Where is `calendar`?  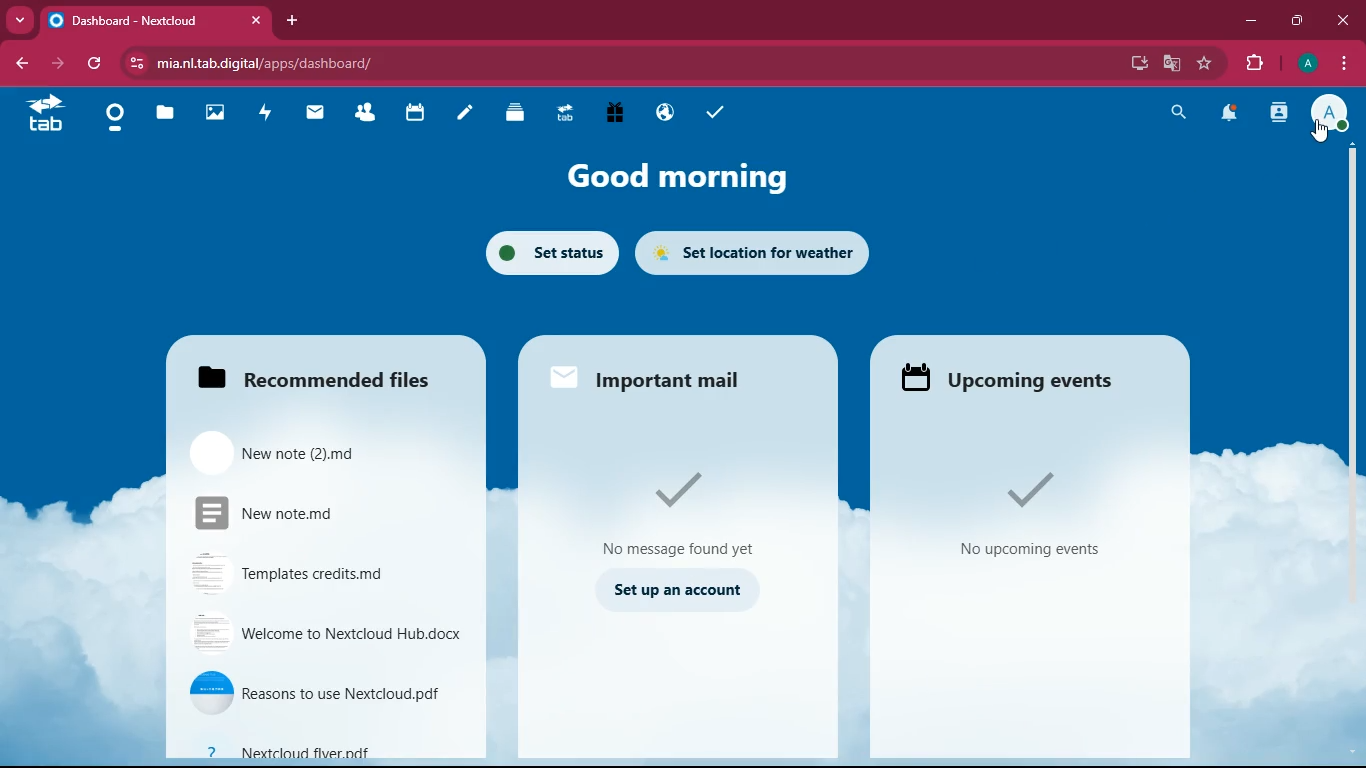
calendar is located at coordinates (412, 113).